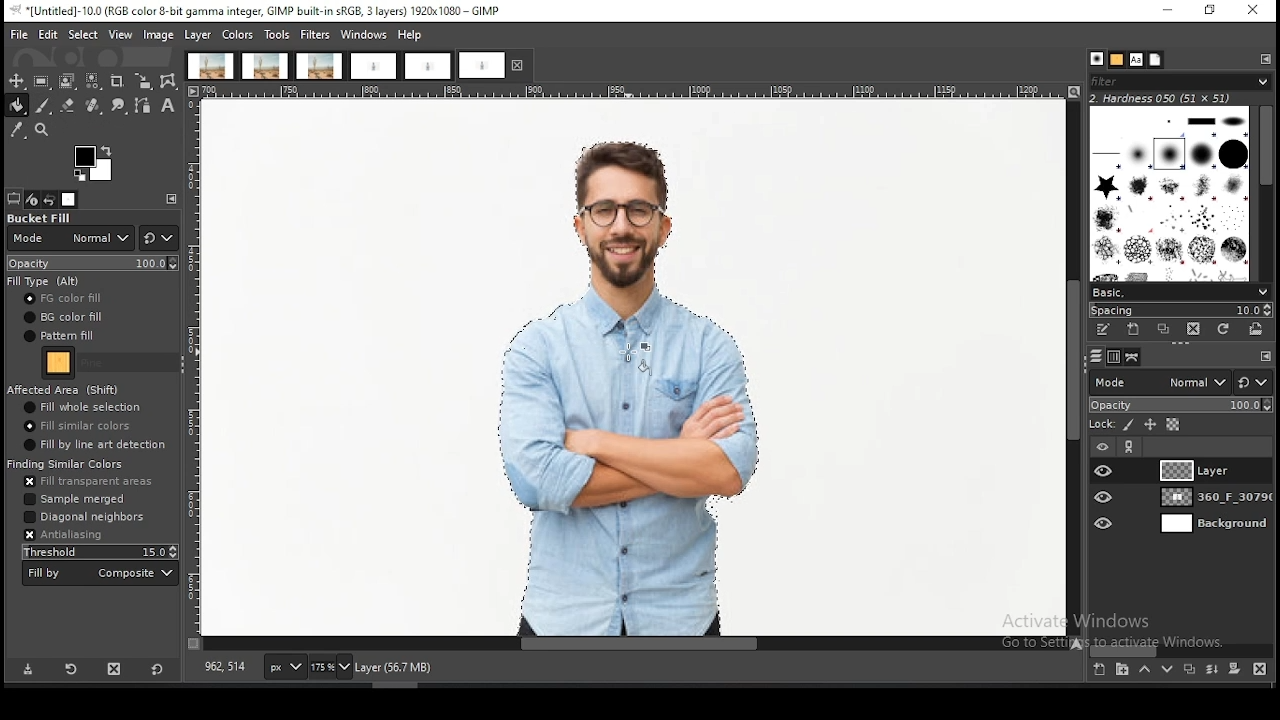 The width and height of the screenshot is (1280, 720). I want to click on selected region, so click(626, 387).